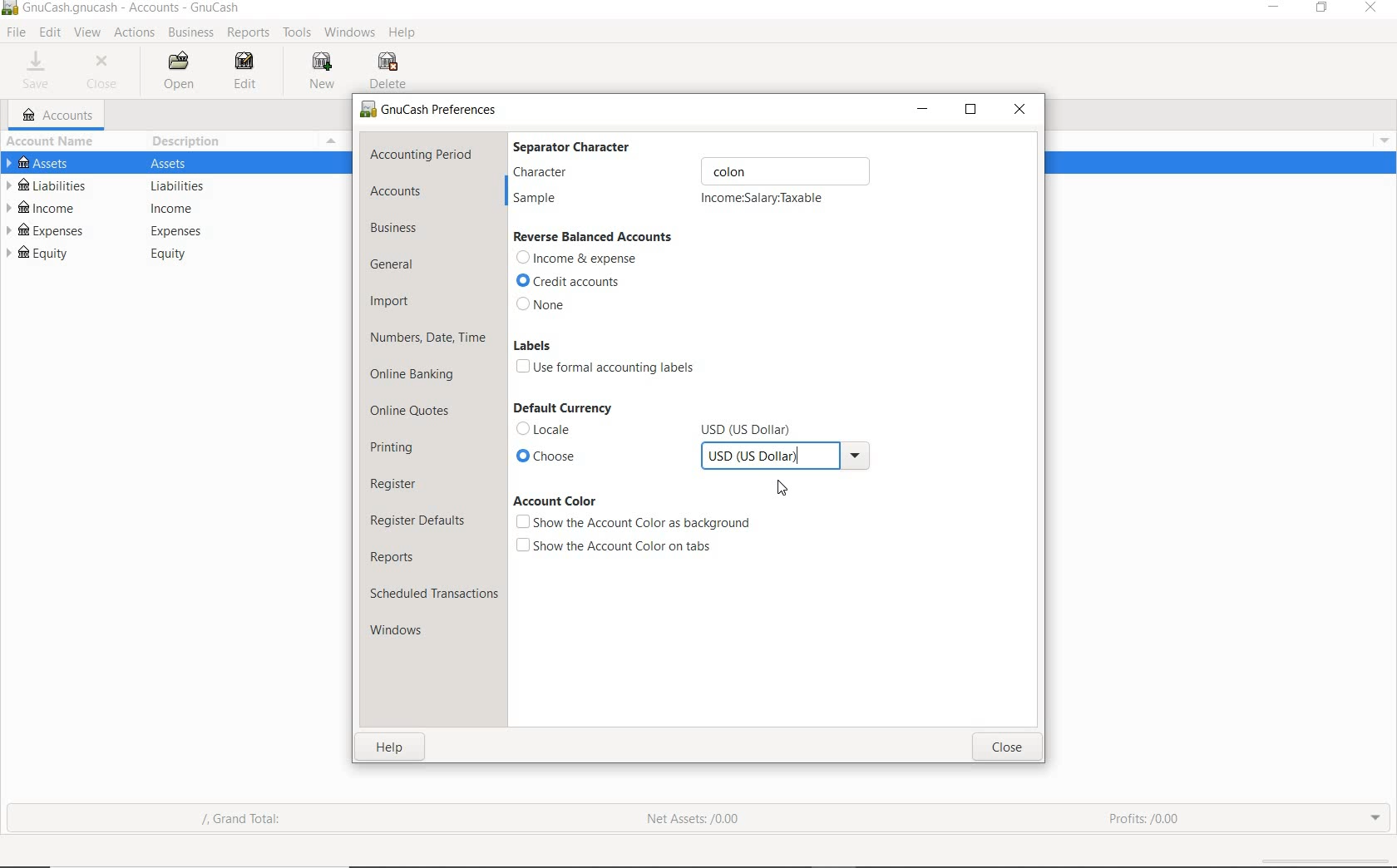  Describe the element at coordinates (55, 186) in the screenshot. I see `LIABILITIES` at that location.